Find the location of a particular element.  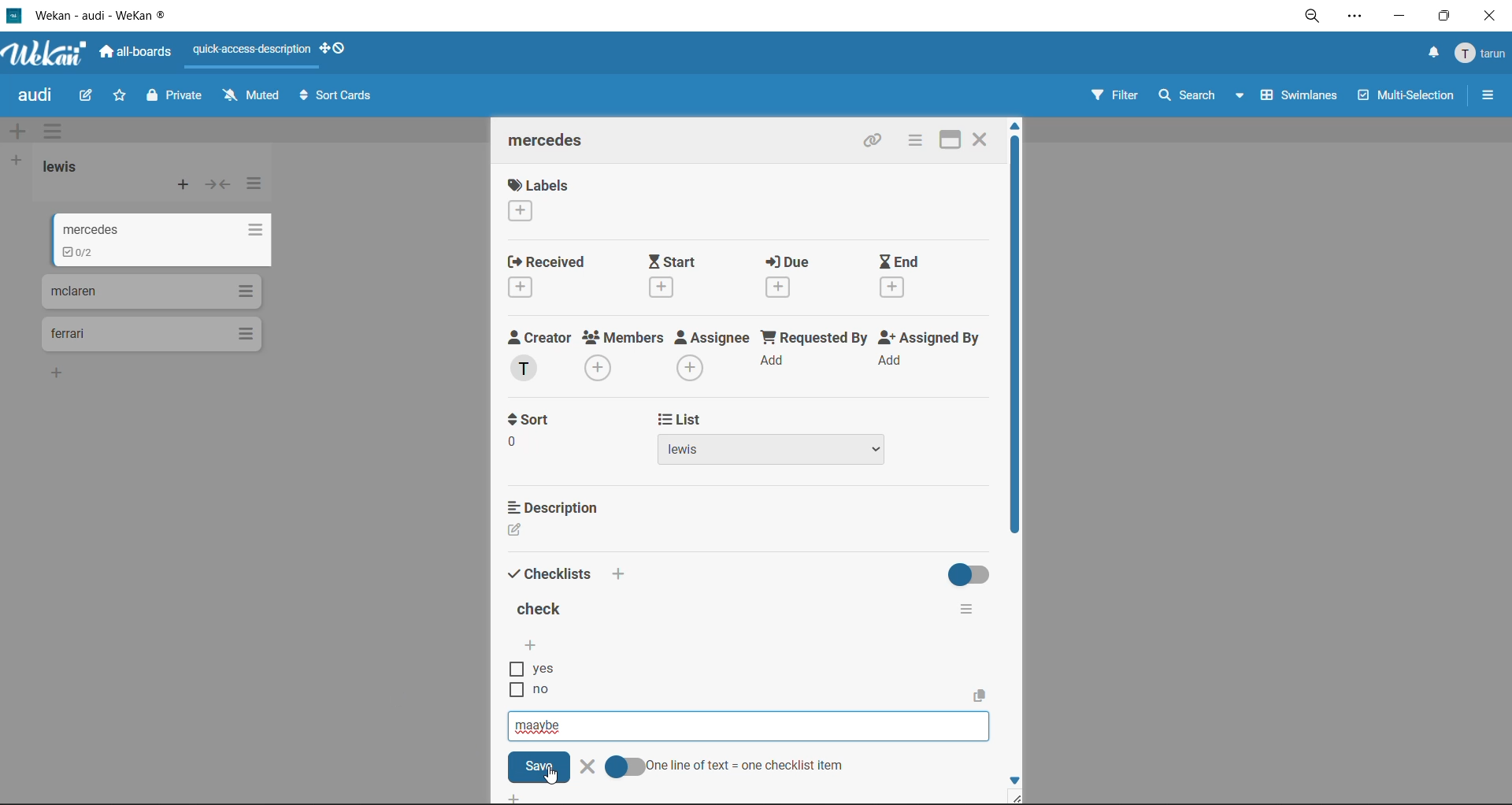

Add Due Time is located at coordinates (782, 287).